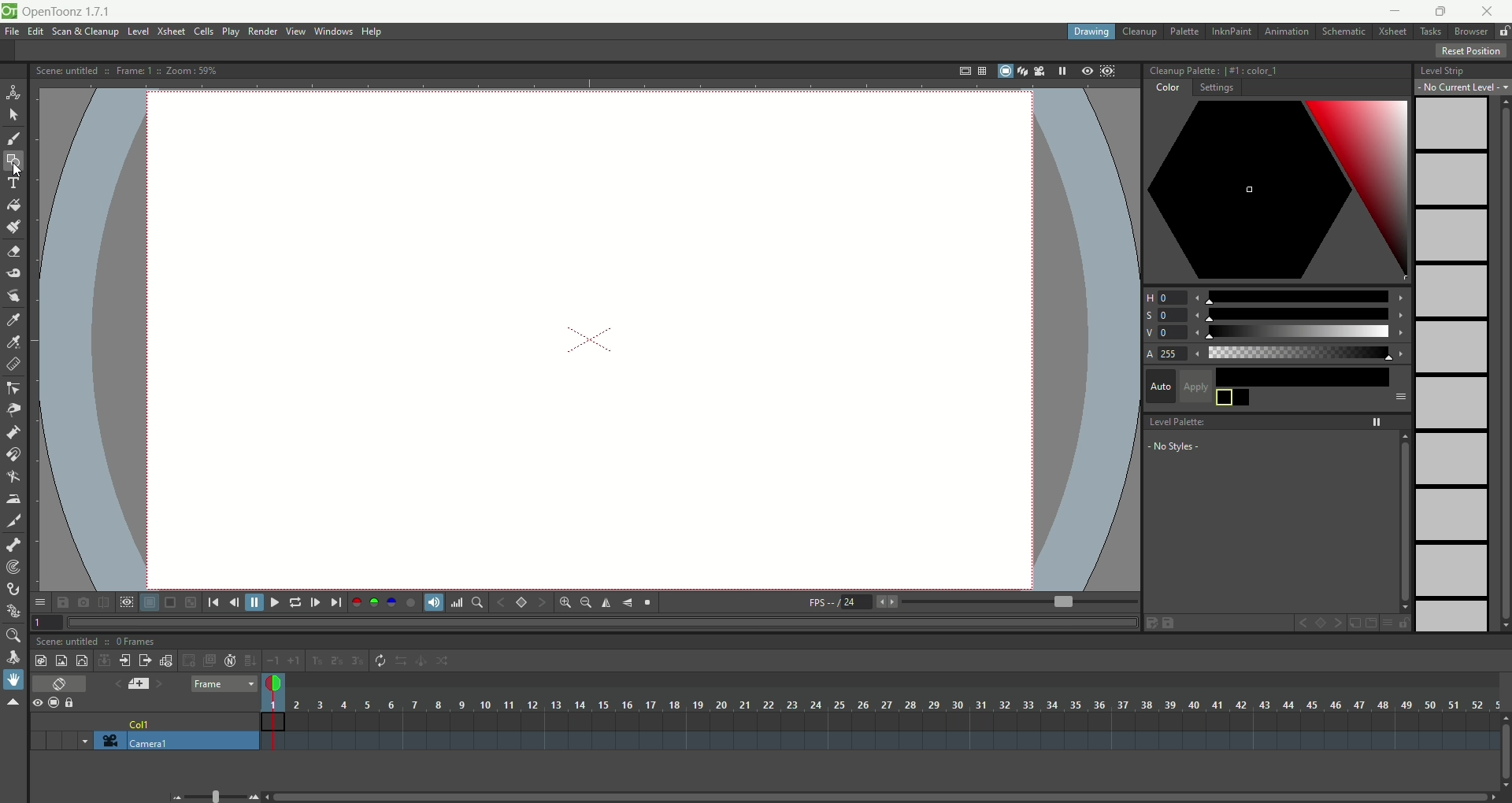  I want to click on task, so click(1429, 35).